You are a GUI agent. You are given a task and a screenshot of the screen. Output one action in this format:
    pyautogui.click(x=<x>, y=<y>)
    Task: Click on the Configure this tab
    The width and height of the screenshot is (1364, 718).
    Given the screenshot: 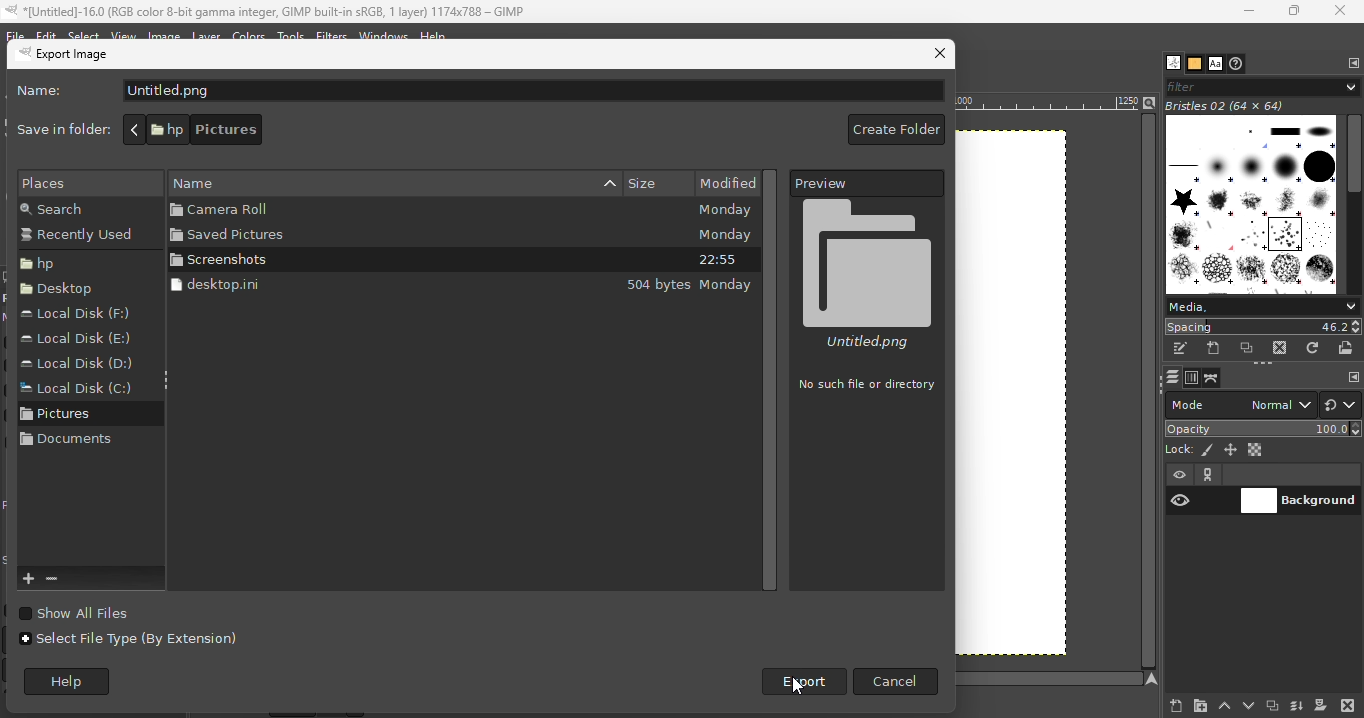 What is the action you would take?
    pyautogui.click(x=1354, y=63)
    